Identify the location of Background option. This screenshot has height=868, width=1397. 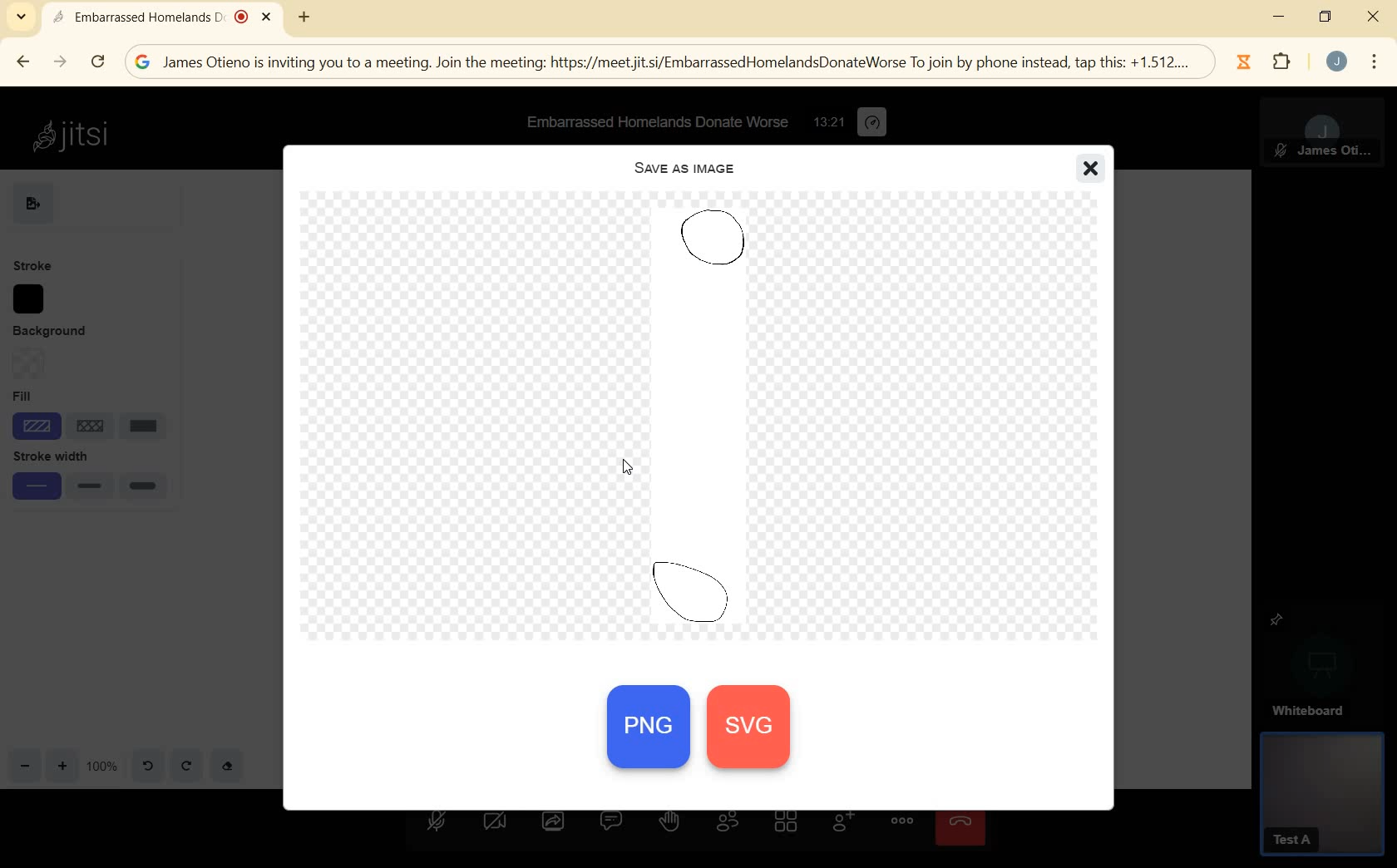
(30, 365).